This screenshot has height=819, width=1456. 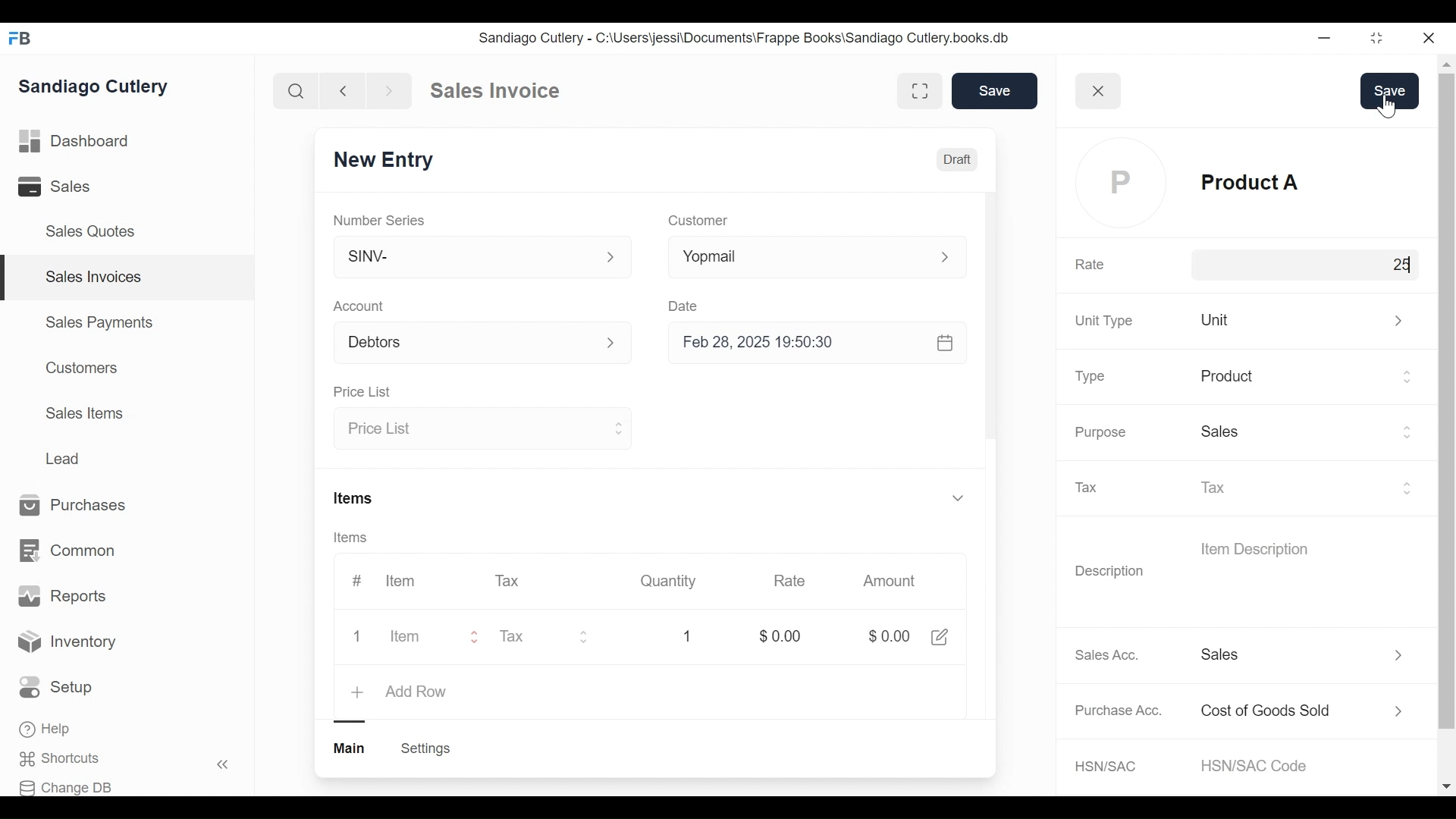 I want to click on Tax, so click(x=510, y=581).